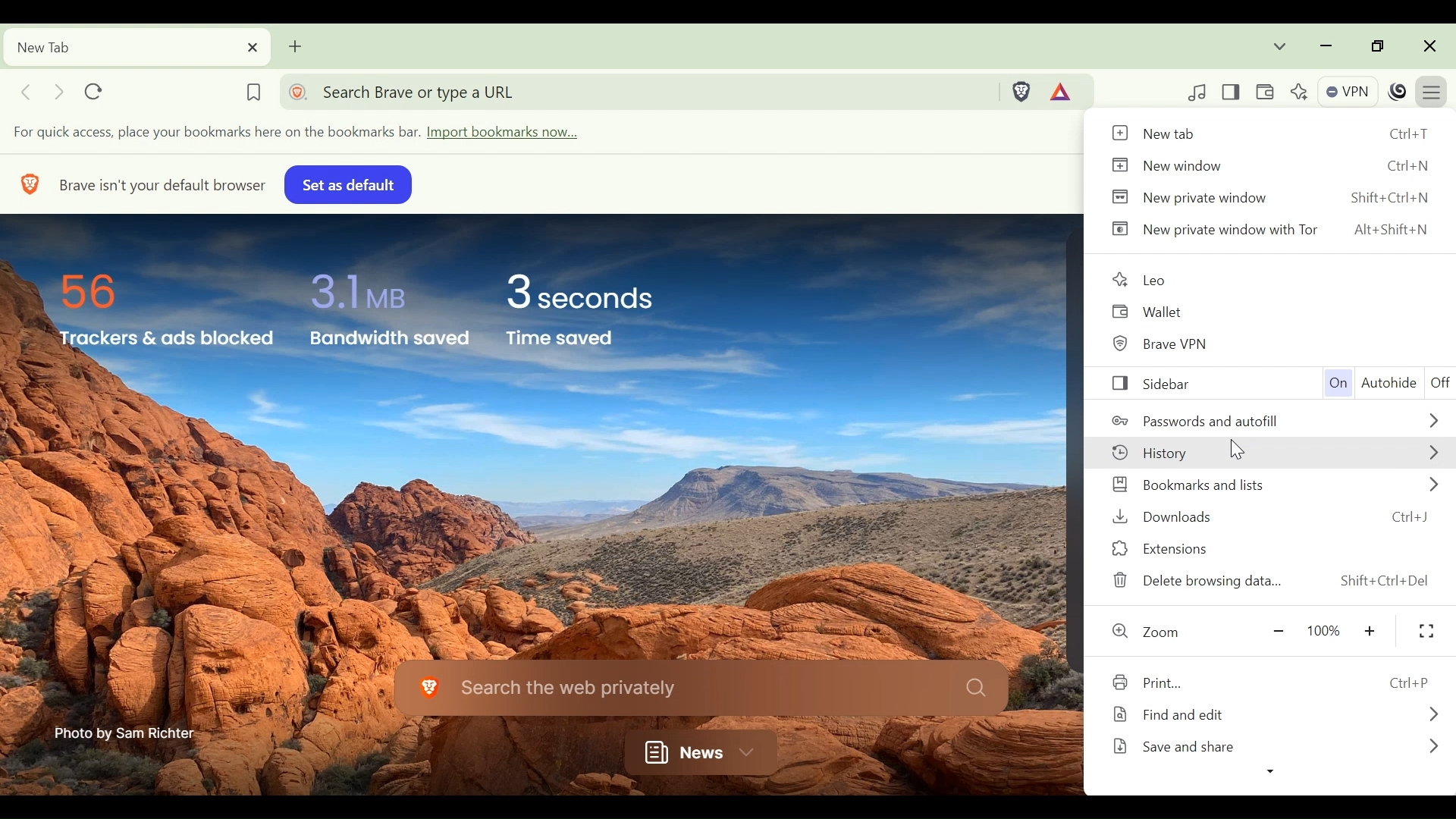 This screenshot has height=819, width=1456. What do you see at coordinates (58, 90) in the screenshot?
I see `Click to go forward` at bounding box center [58, 90].